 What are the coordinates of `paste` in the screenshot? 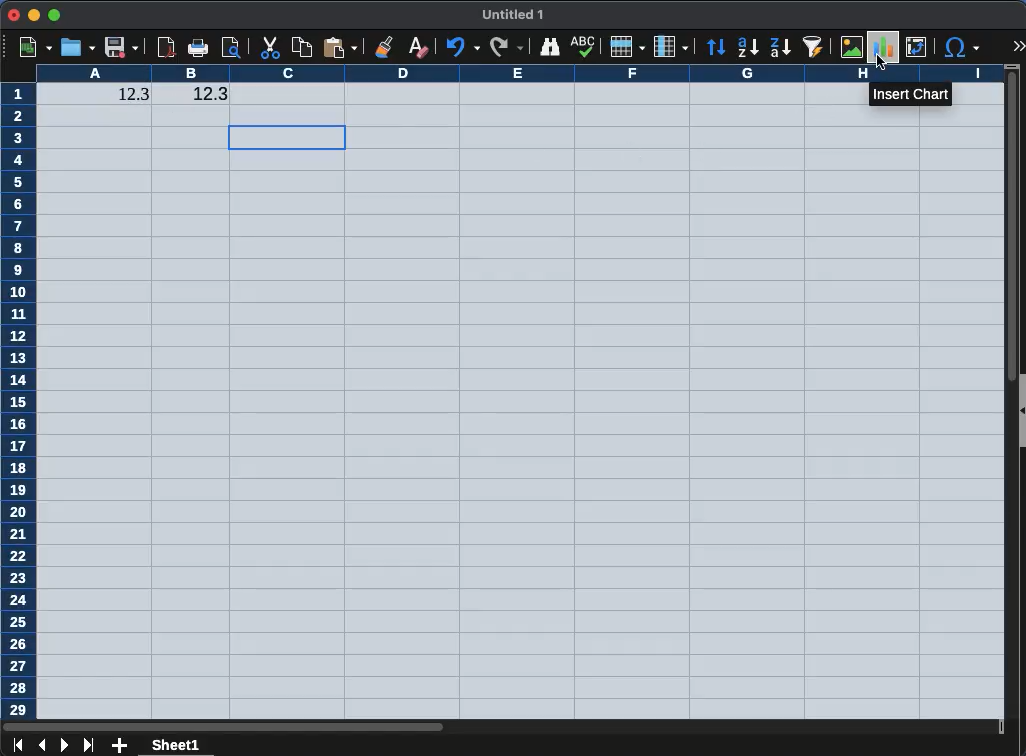 It's located at (338, 48).